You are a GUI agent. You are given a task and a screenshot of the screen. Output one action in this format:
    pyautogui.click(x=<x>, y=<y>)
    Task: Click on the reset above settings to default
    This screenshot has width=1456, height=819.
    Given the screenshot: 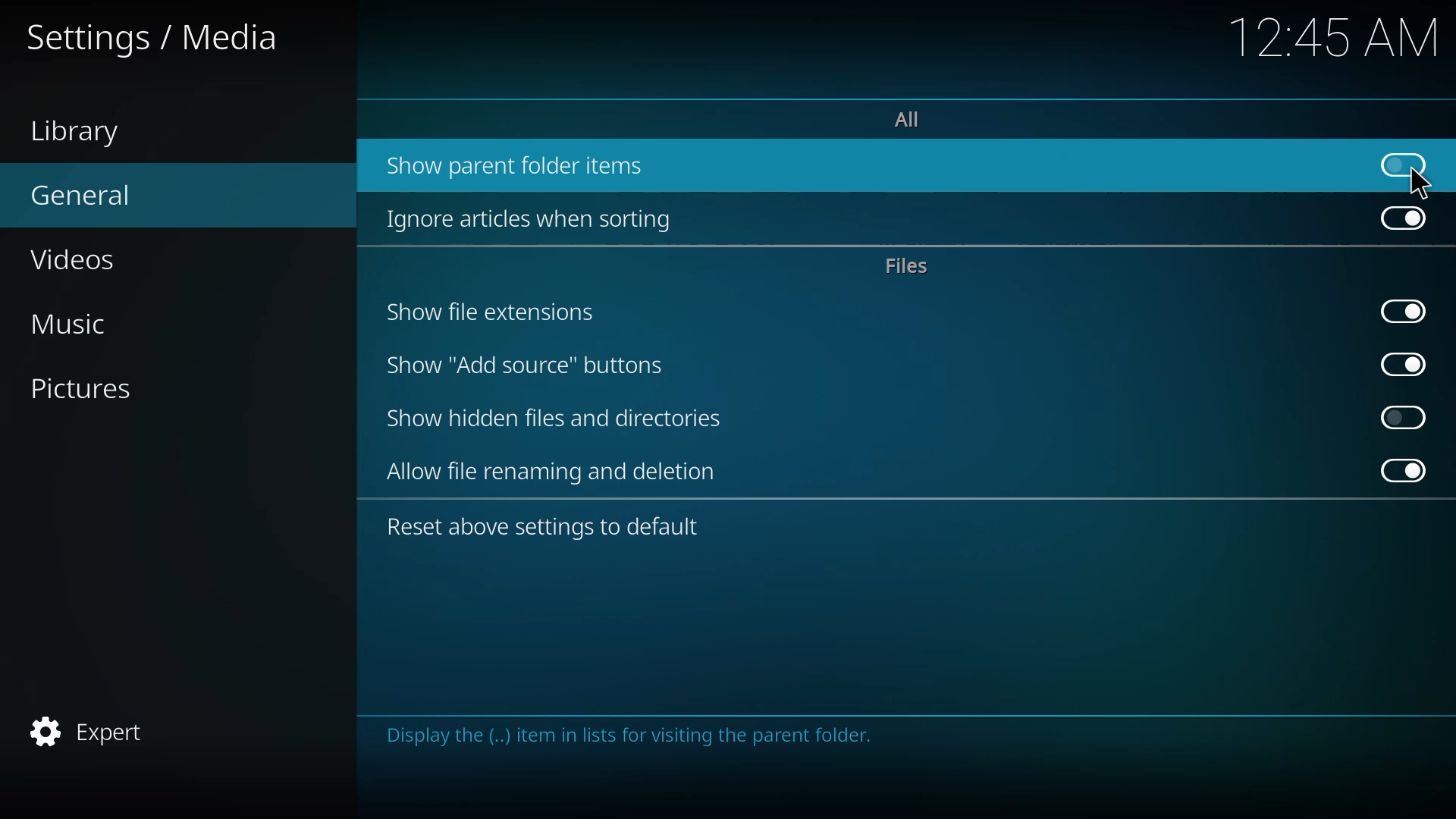 What is the action you would take?
    pyautogui.click(x=548, y=529)
    